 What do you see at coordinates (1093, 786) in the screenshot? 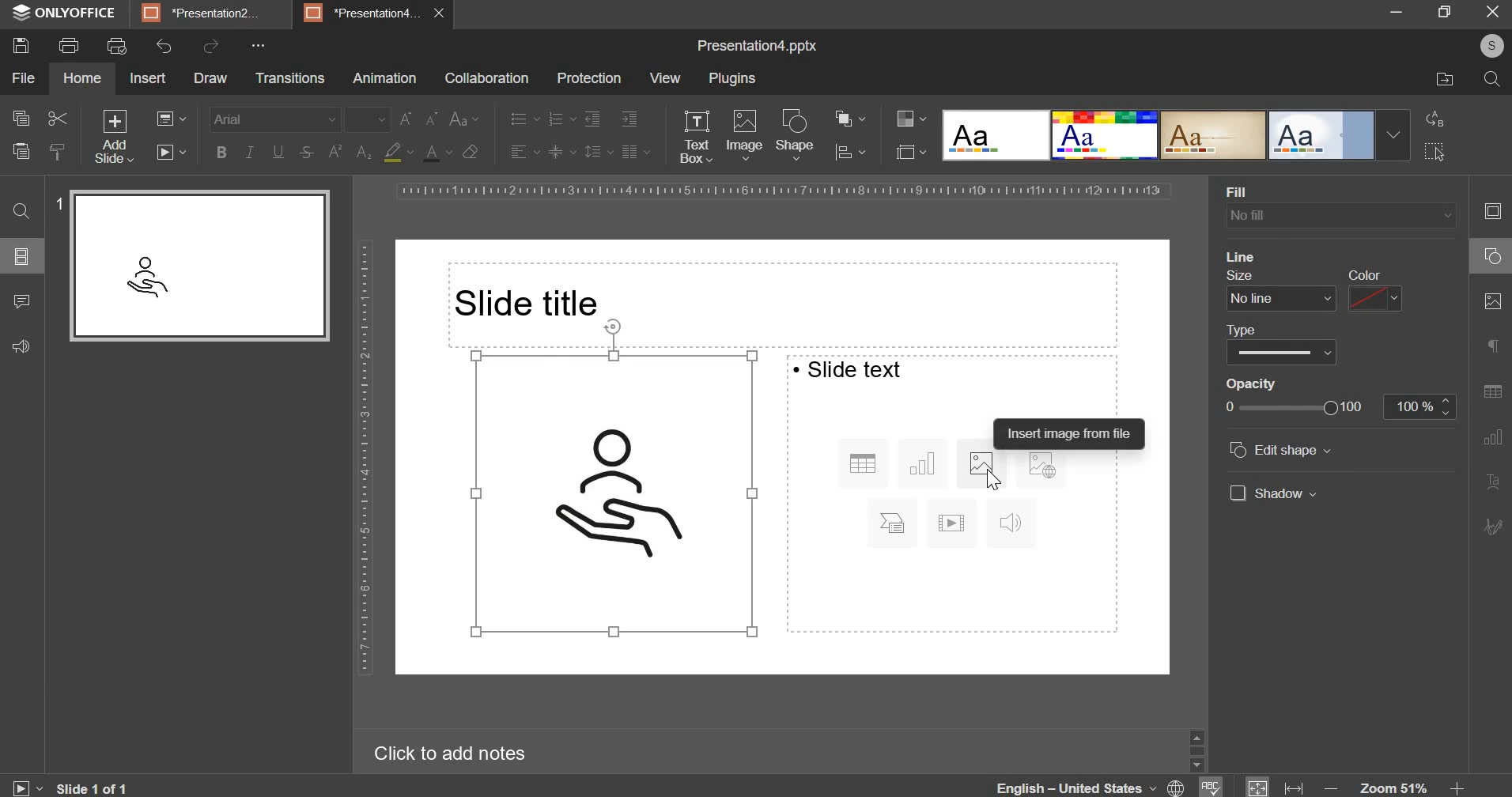
I see `language` at bounding box center [1093, 786].